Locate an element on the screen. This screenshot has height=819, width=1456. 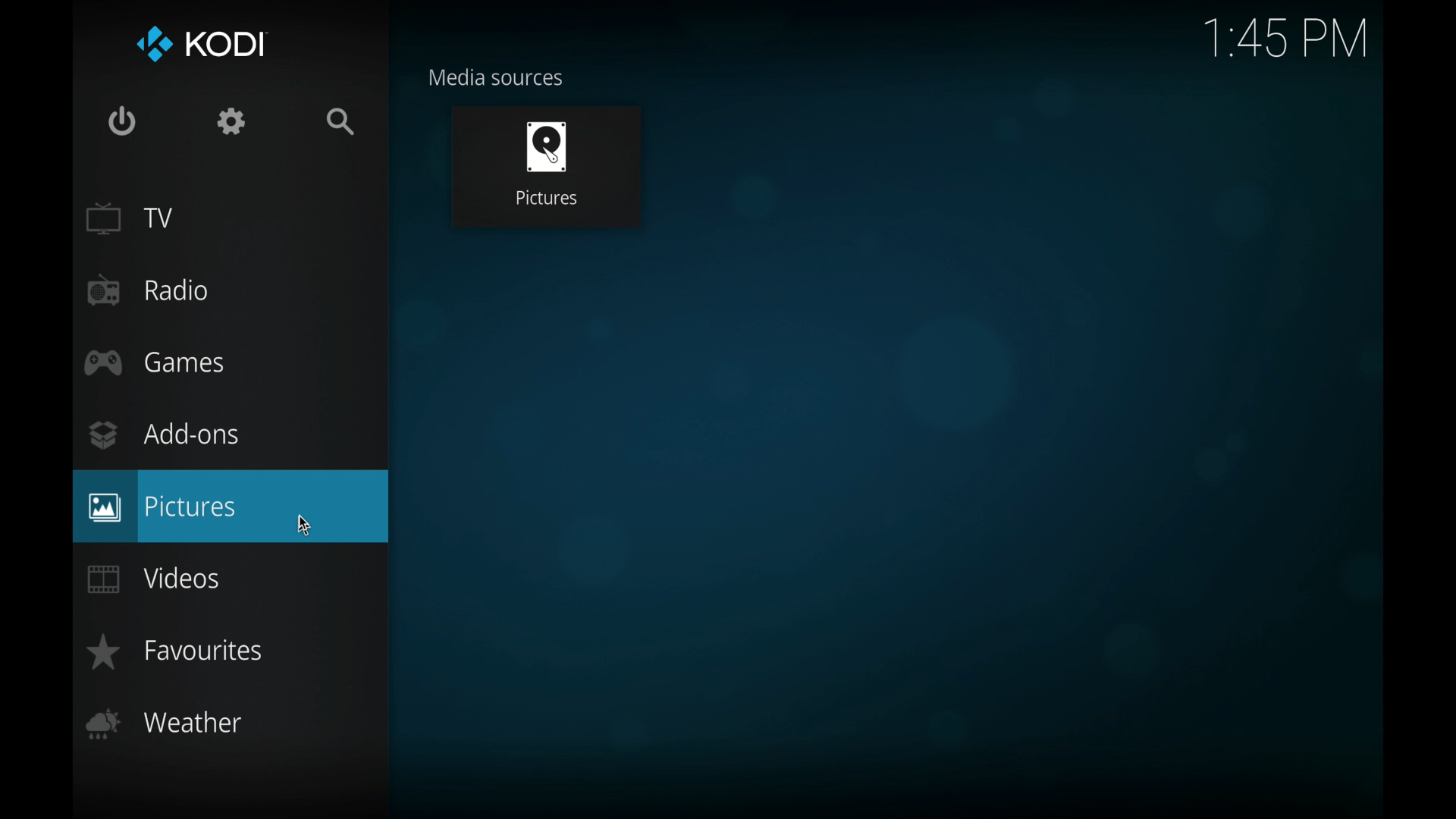
search is located at coordinates (341, 121).